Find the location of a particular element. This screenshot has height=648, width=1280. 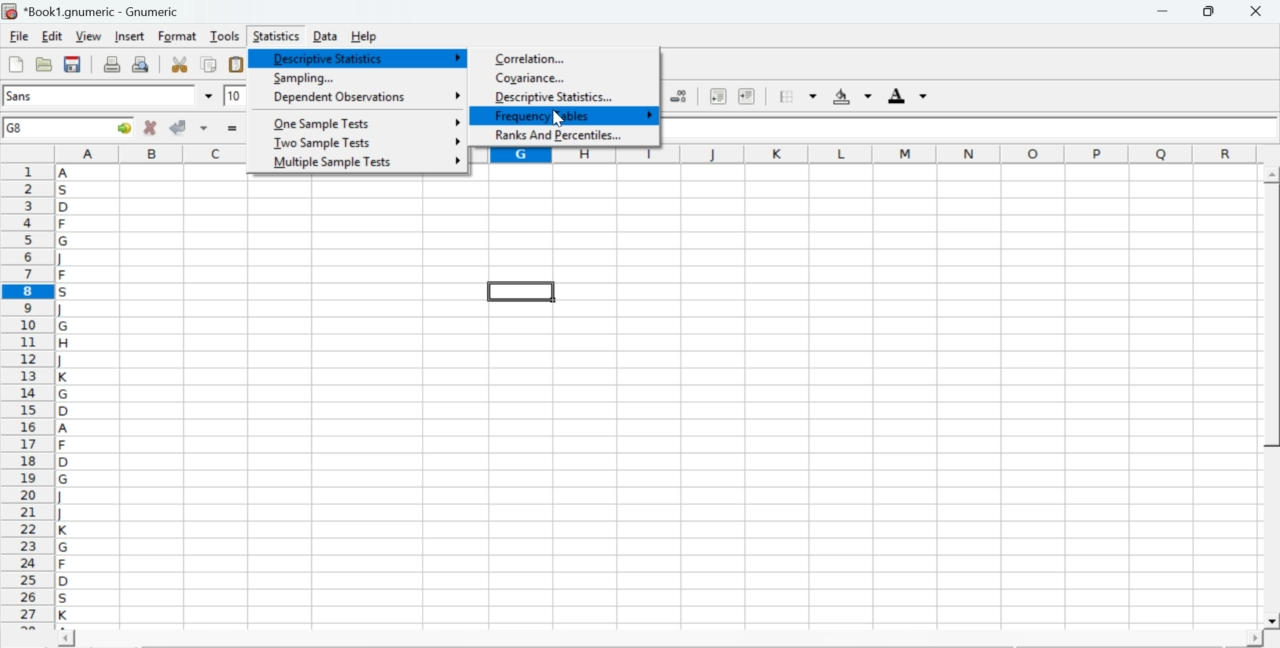

alphabets is located at coordinates (65, 393).